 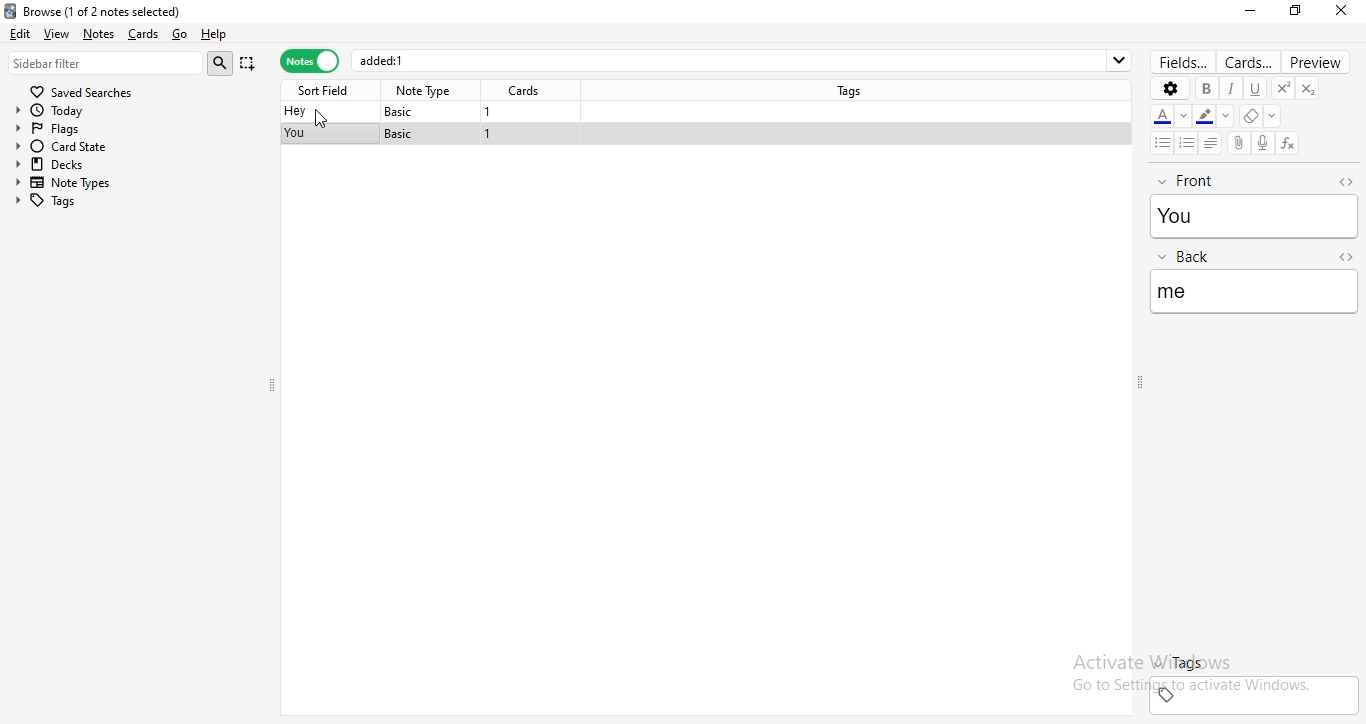 What do you see at coordinates (1207, 88) in the screenshot?
I see `bold` at bounding box center [1207, 88].